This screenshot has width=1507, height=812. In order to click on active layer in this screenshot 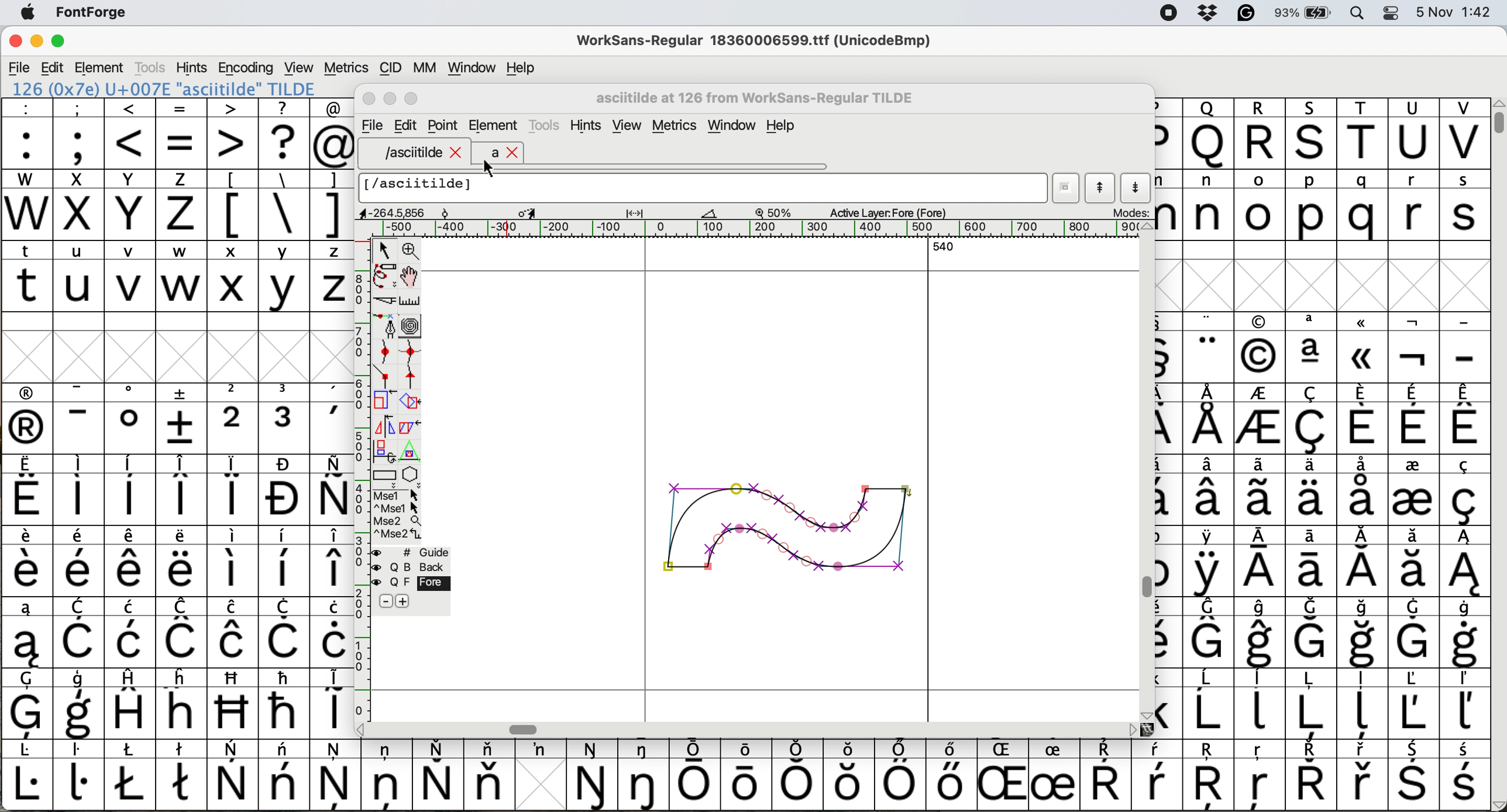, I will do `click(886, 212)`.